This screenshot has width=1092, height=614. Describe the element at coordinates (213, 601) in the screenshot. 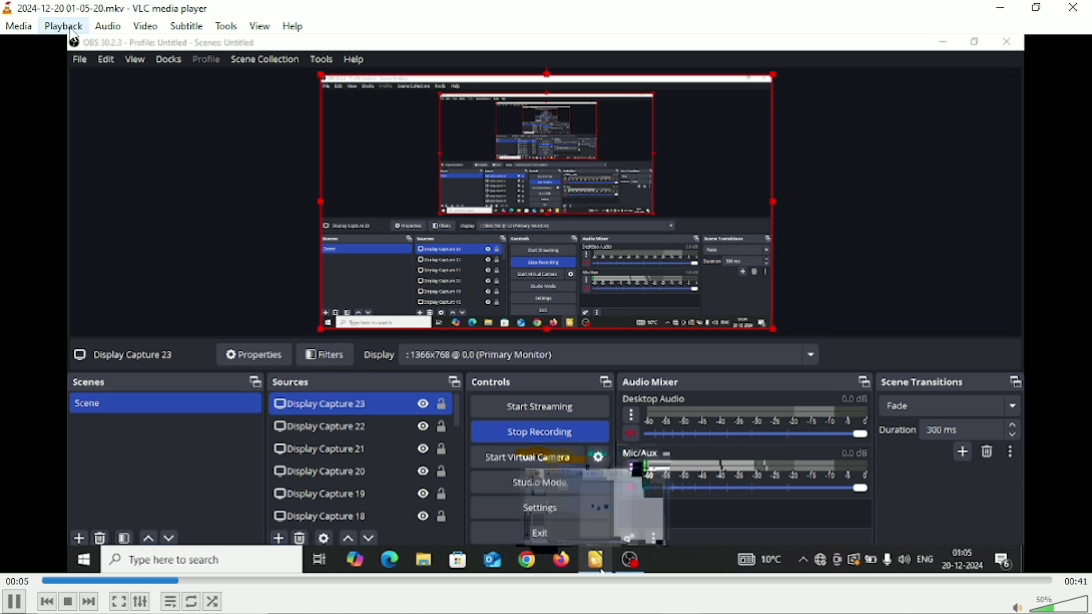

I see `Random` at that location.